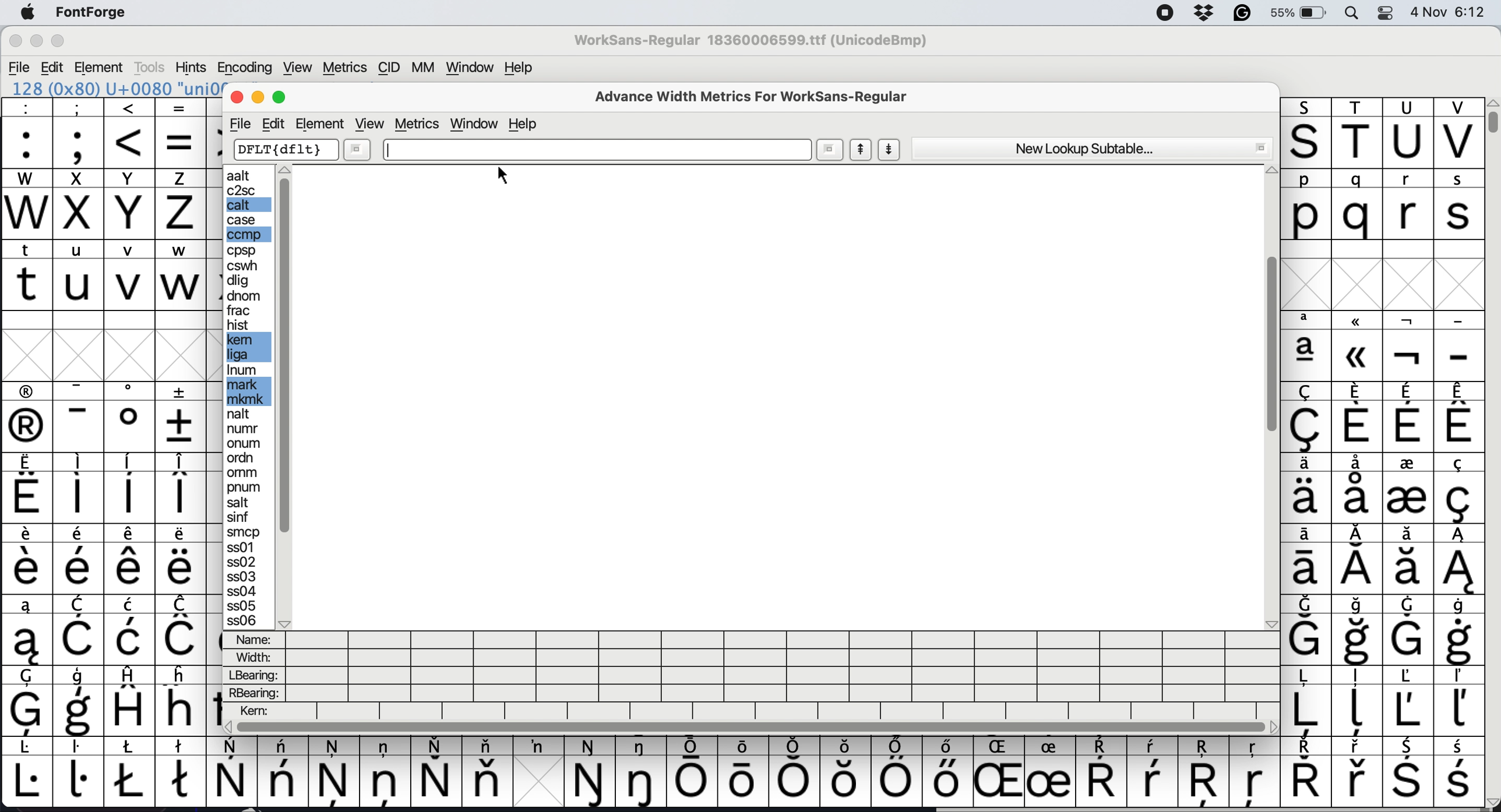  I want to click on spotlight search, so click(1353, 14).